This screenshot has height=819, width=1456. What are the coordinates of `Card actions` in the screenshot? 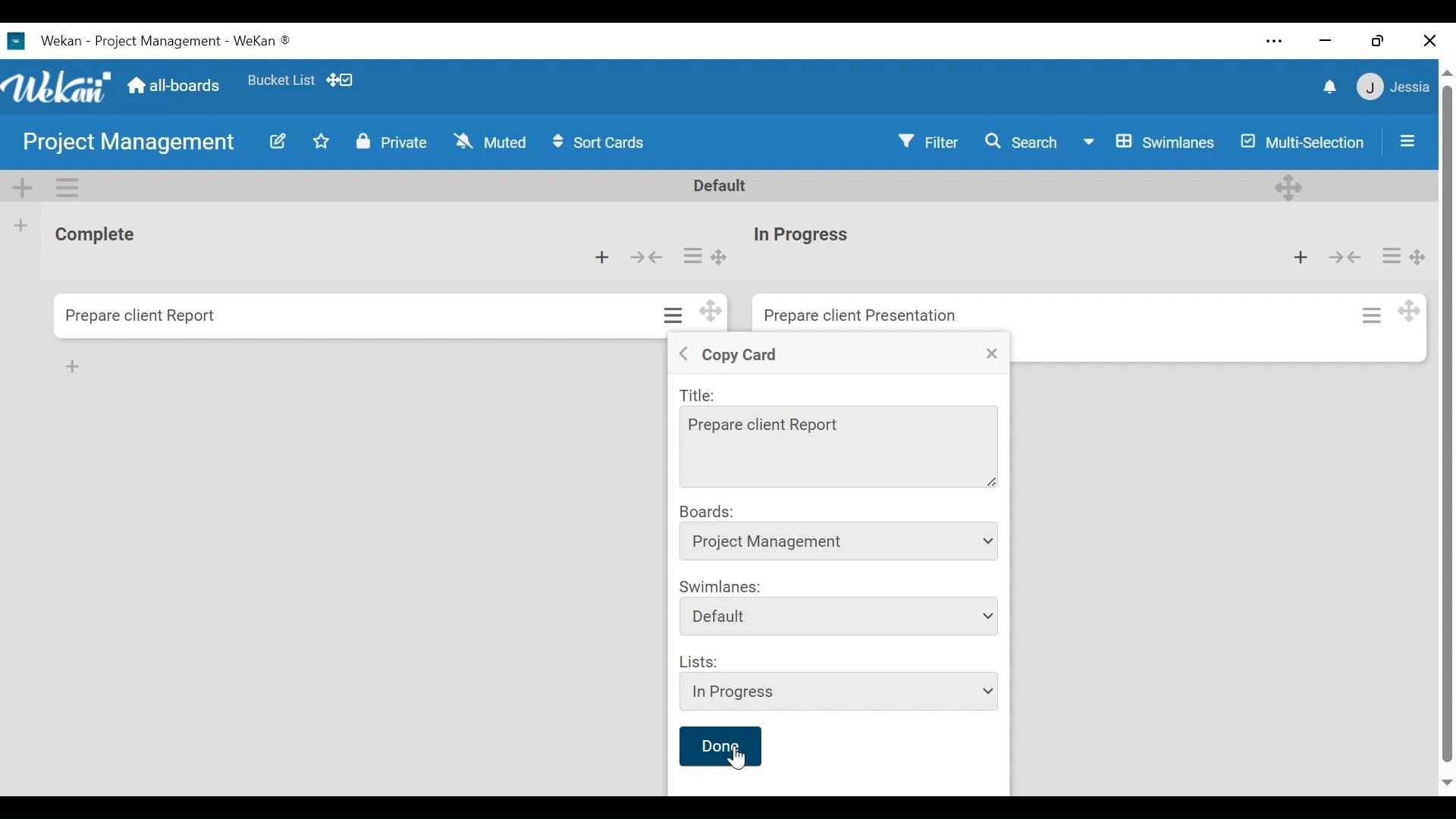 It's located at (1391, 256).